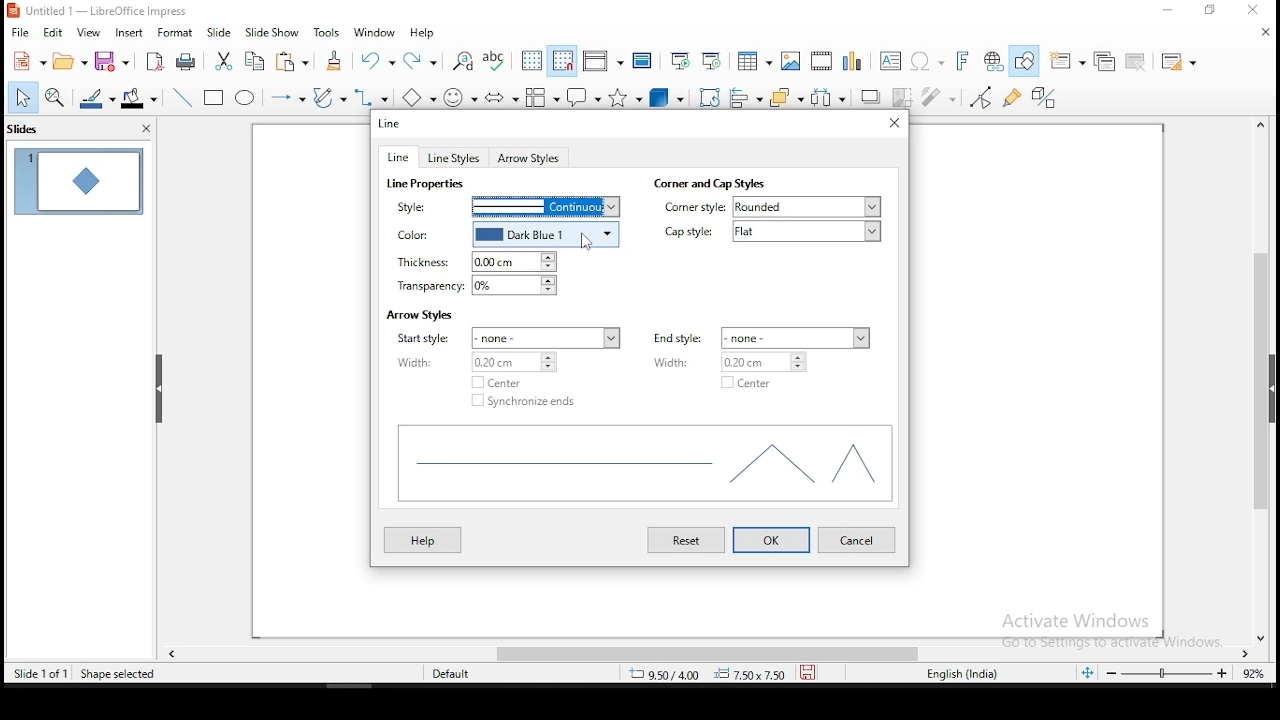 This screenshot has height=720, width=1280. Describe the element at coordinates (426, 288) in the screenshot. I see `transperancy` at that location.